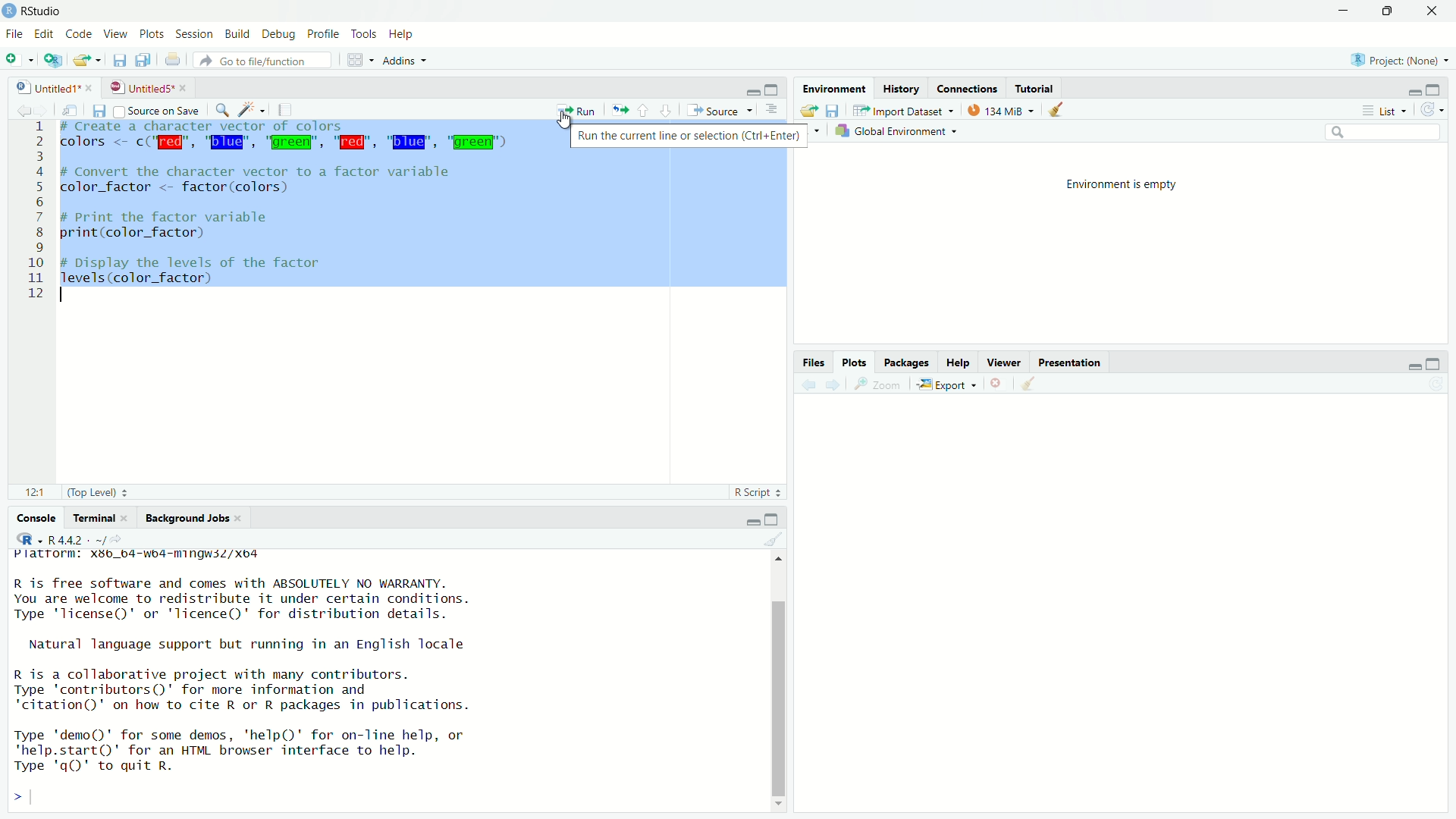  I want to click on (top level), so click(104, 492).